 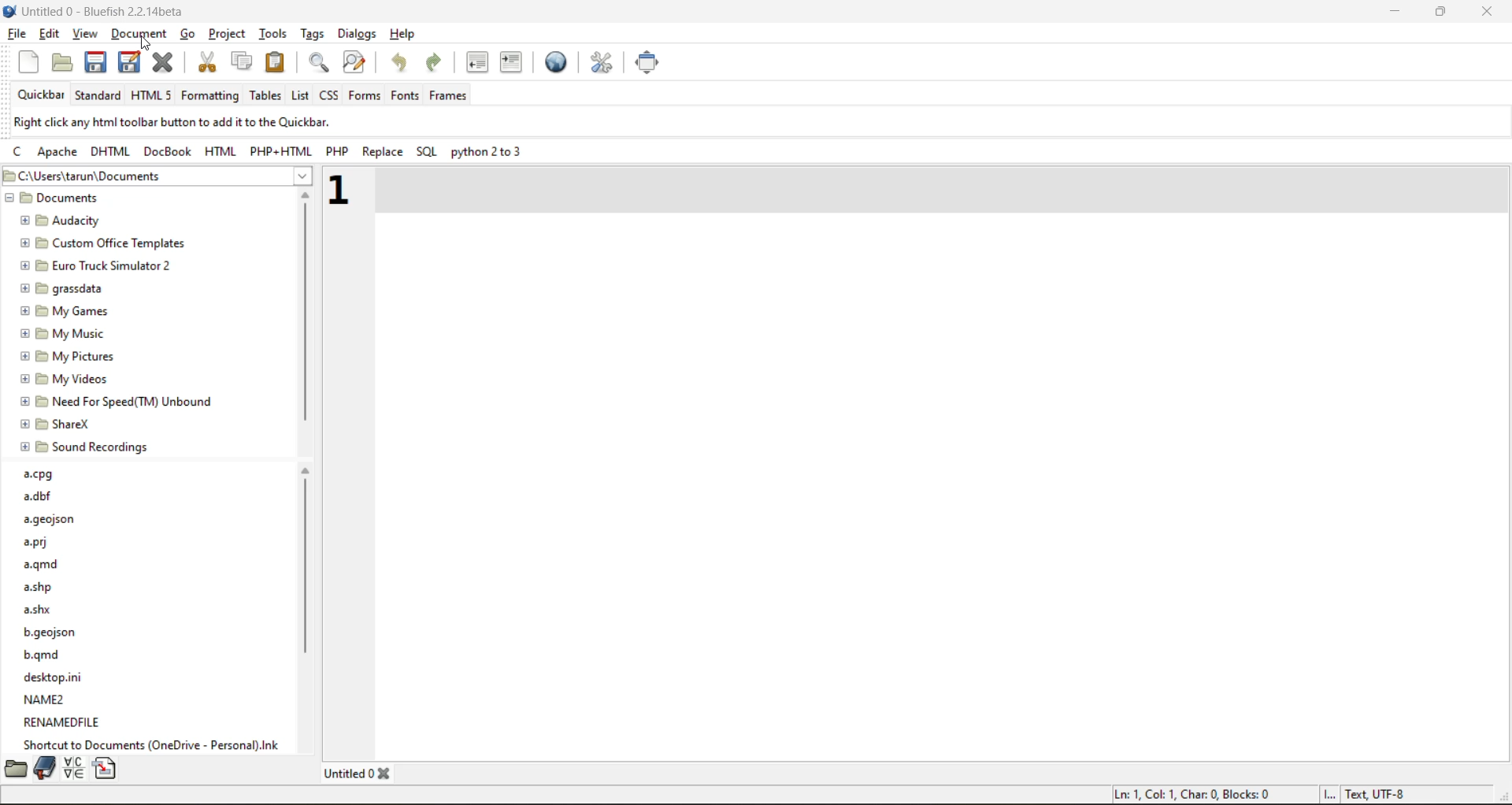 I want to click on help, so click(x=404, y=35).